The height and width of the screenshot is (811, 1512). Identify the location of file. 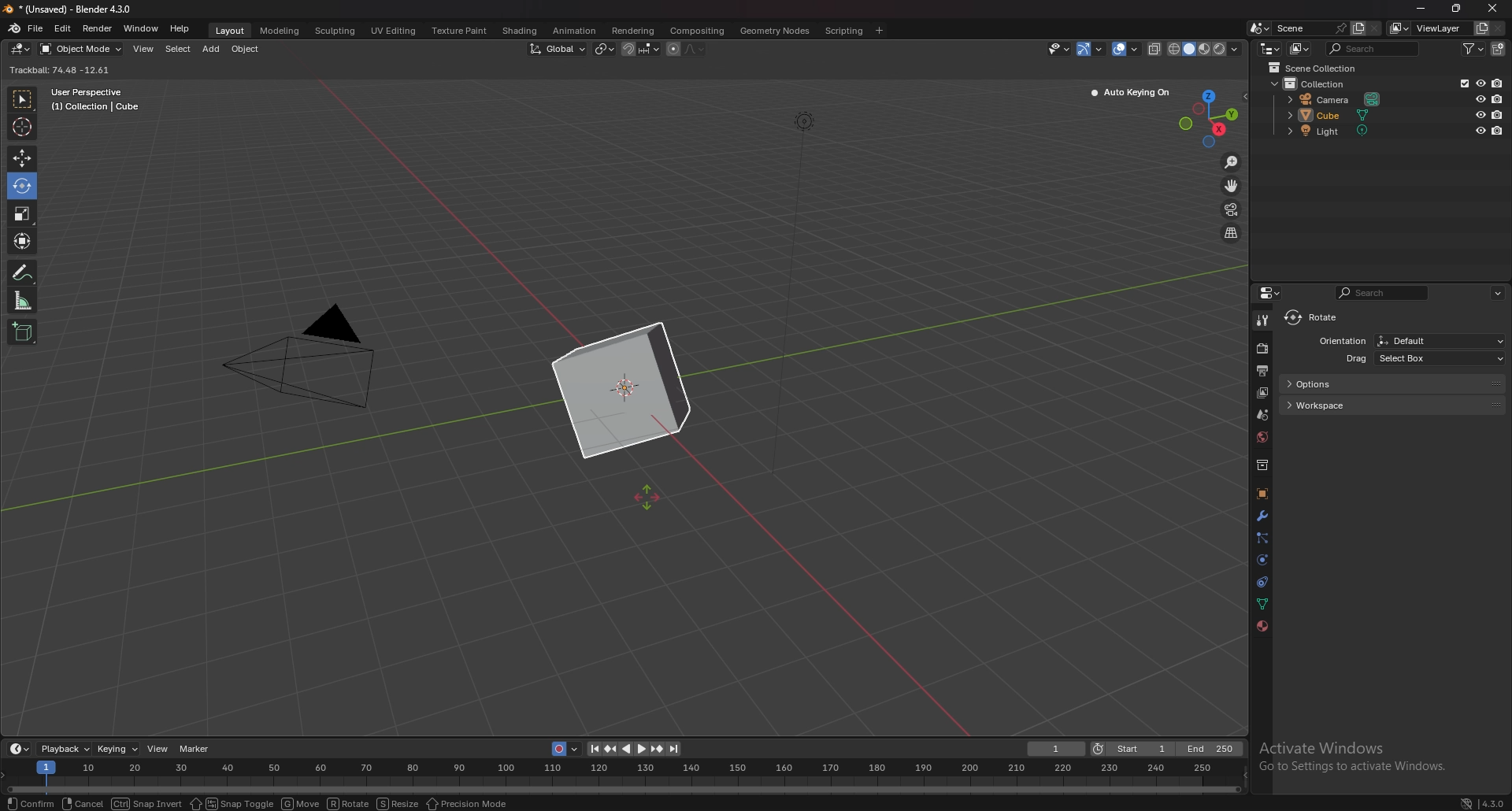
(35, 28).